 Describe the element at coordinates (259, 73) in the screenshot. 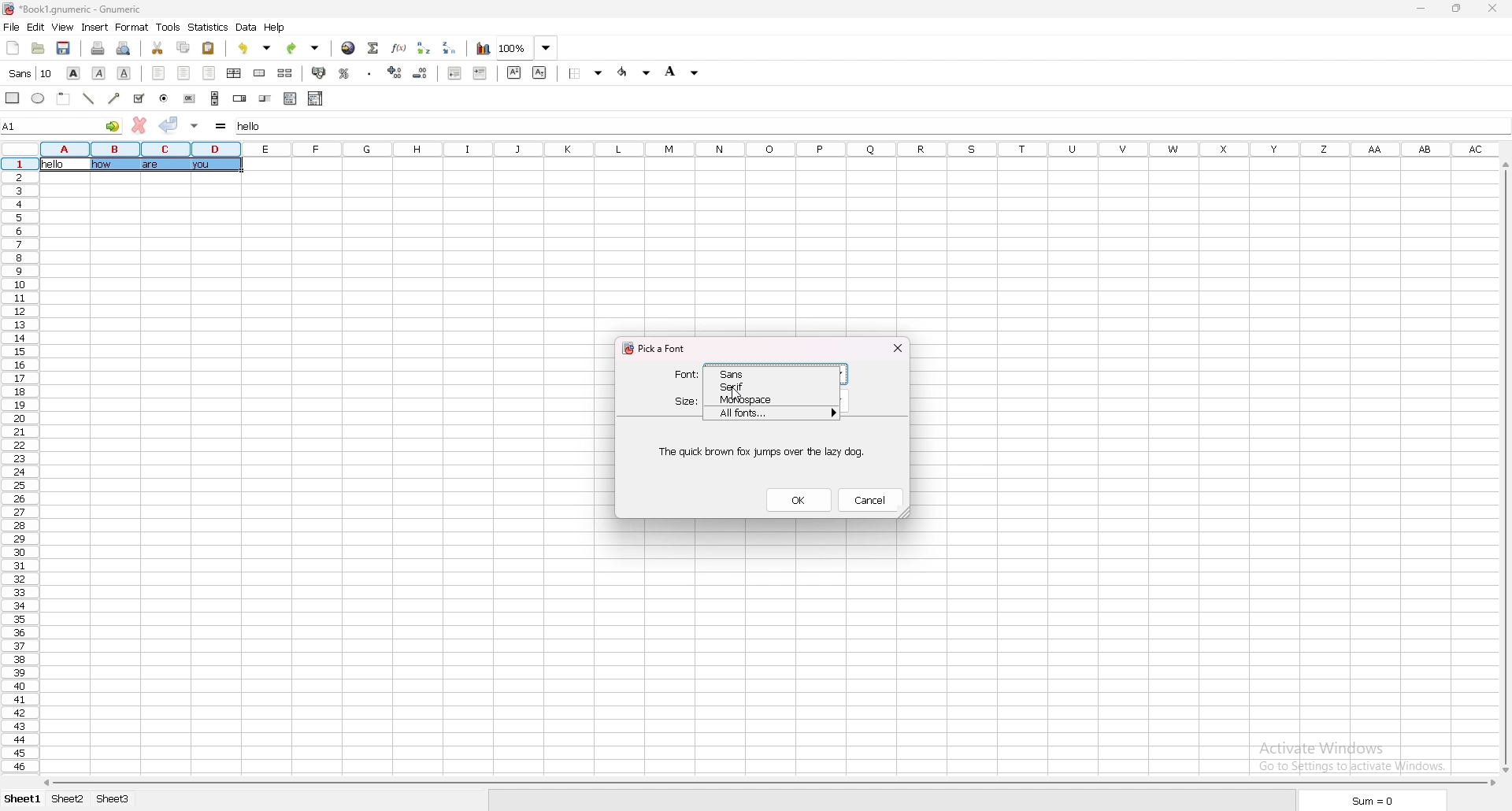

I see `merge cells` at that location.